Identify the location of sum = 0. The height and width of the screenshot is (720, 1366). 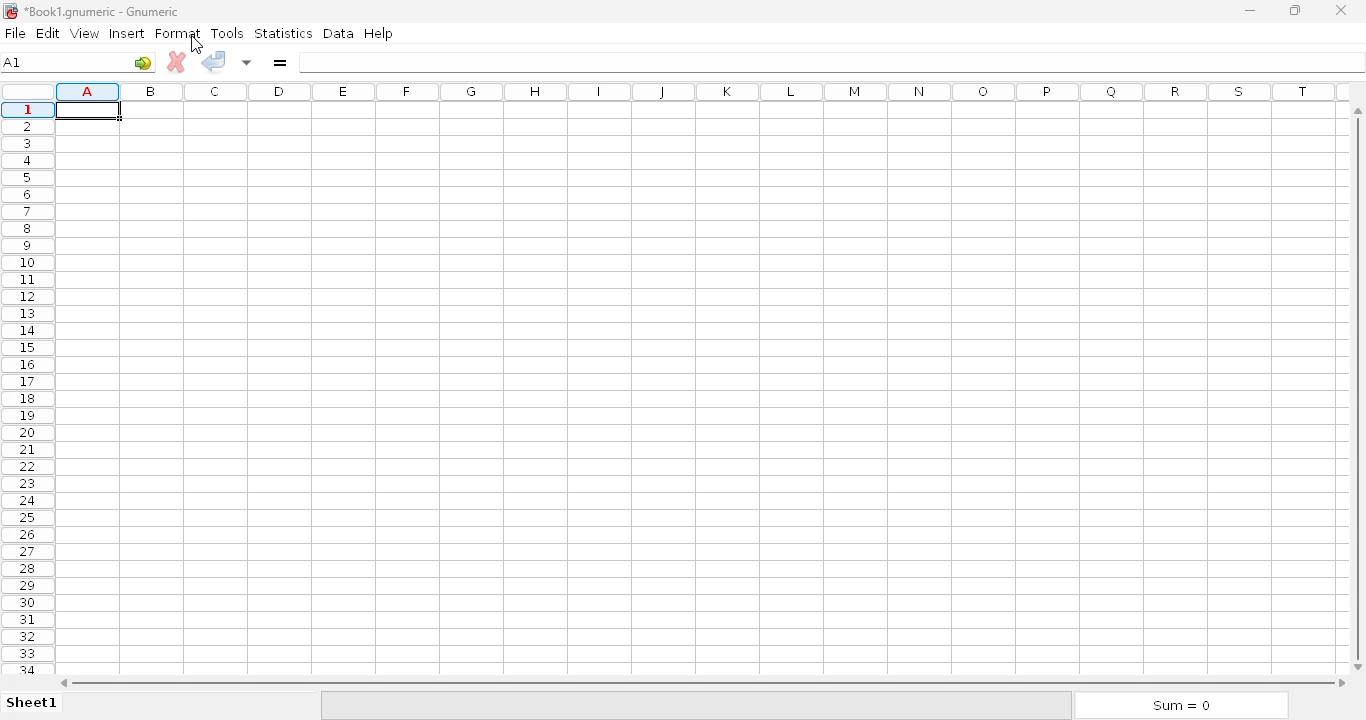
(1179, 705).